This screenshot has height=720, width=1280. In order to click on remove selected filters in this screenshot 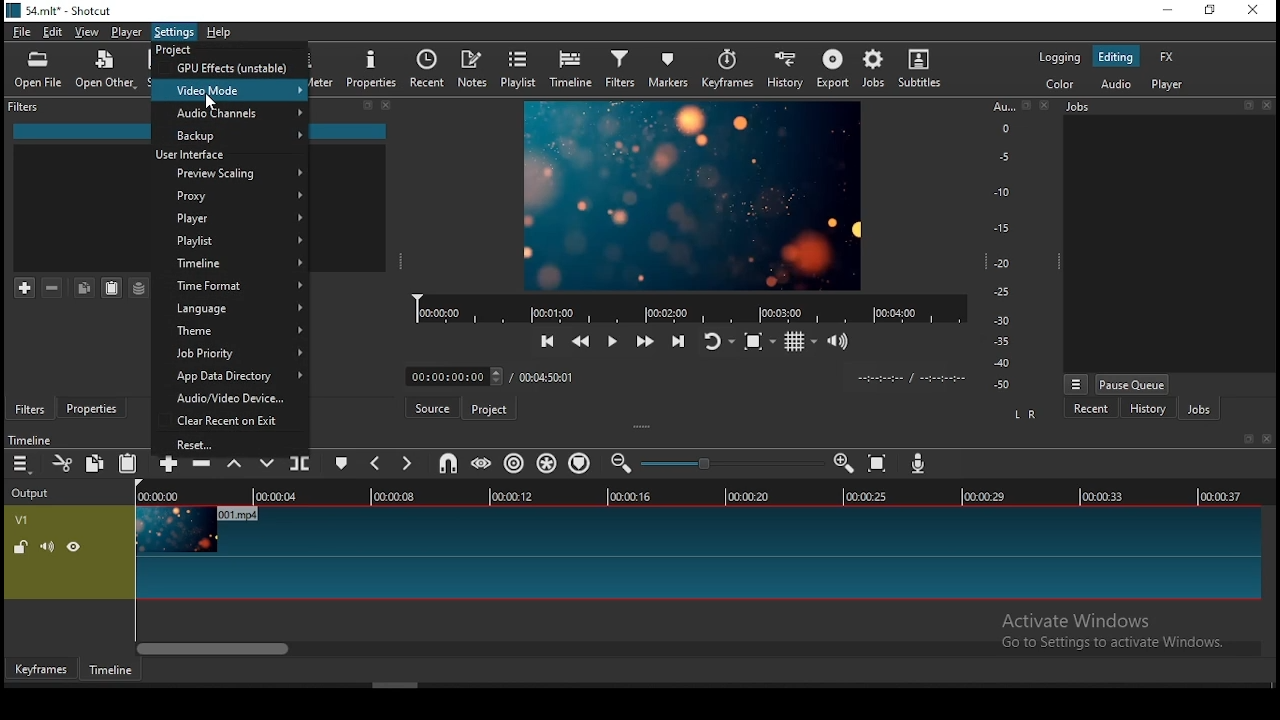, I will do `click(53, 288)`.